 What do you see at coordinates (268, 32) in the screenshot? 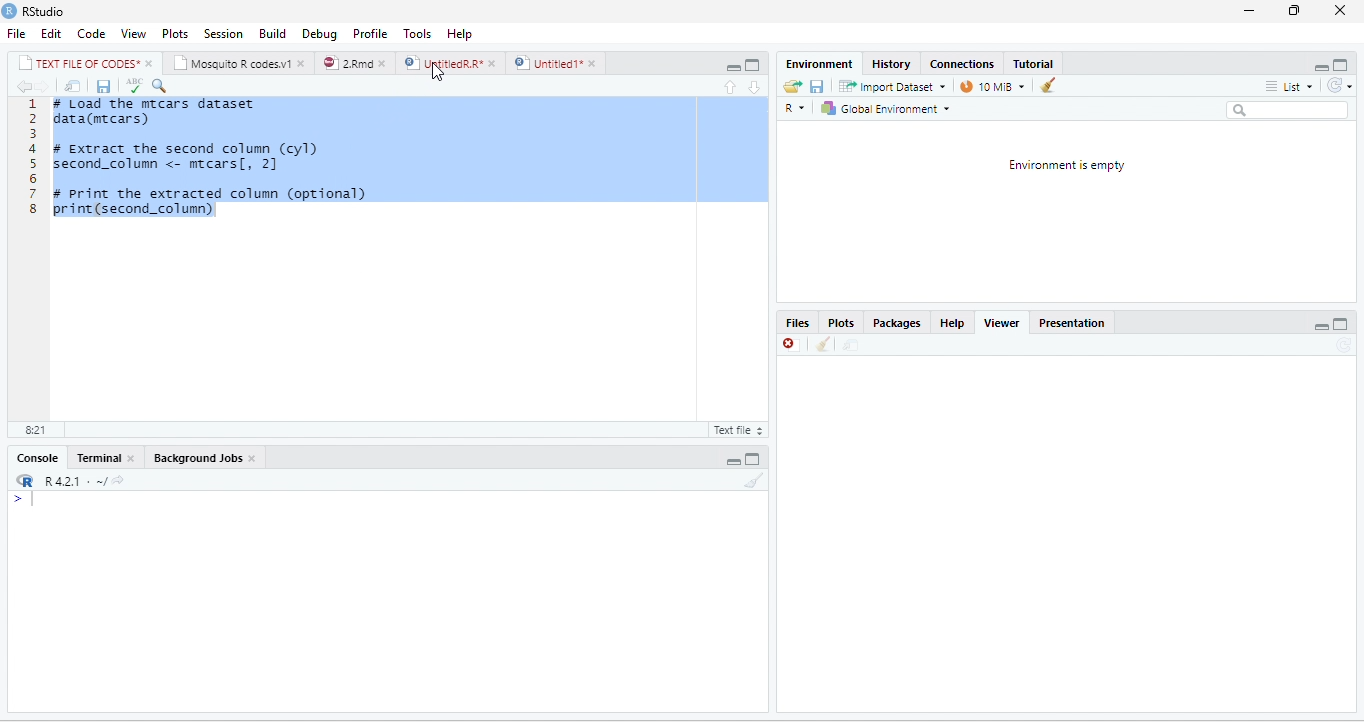
I see `` at bounding box center [268, 32].